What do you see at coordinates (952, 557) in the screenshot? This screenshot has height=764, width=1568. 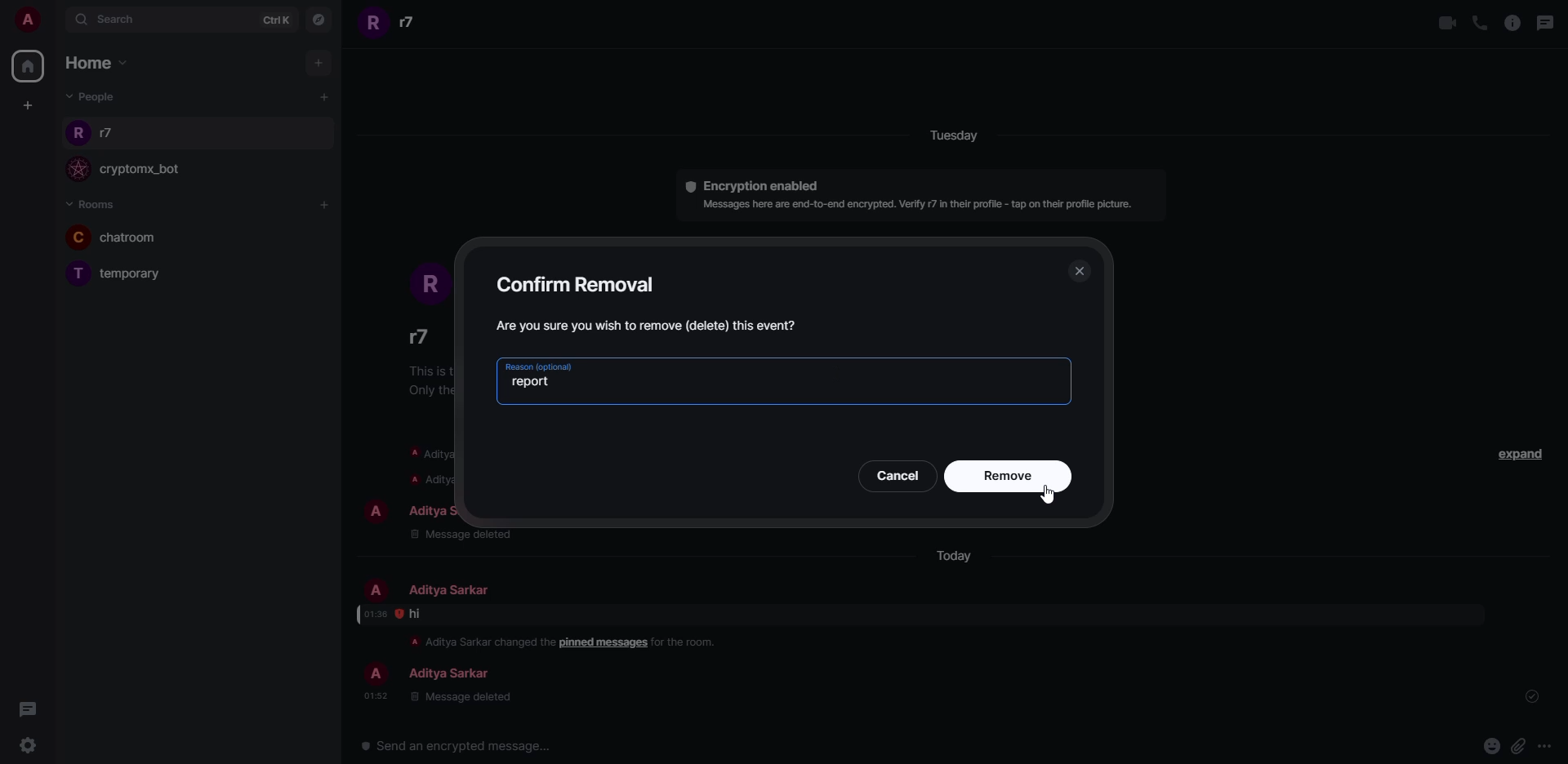 I see `day` at bounding box center [952, 557].